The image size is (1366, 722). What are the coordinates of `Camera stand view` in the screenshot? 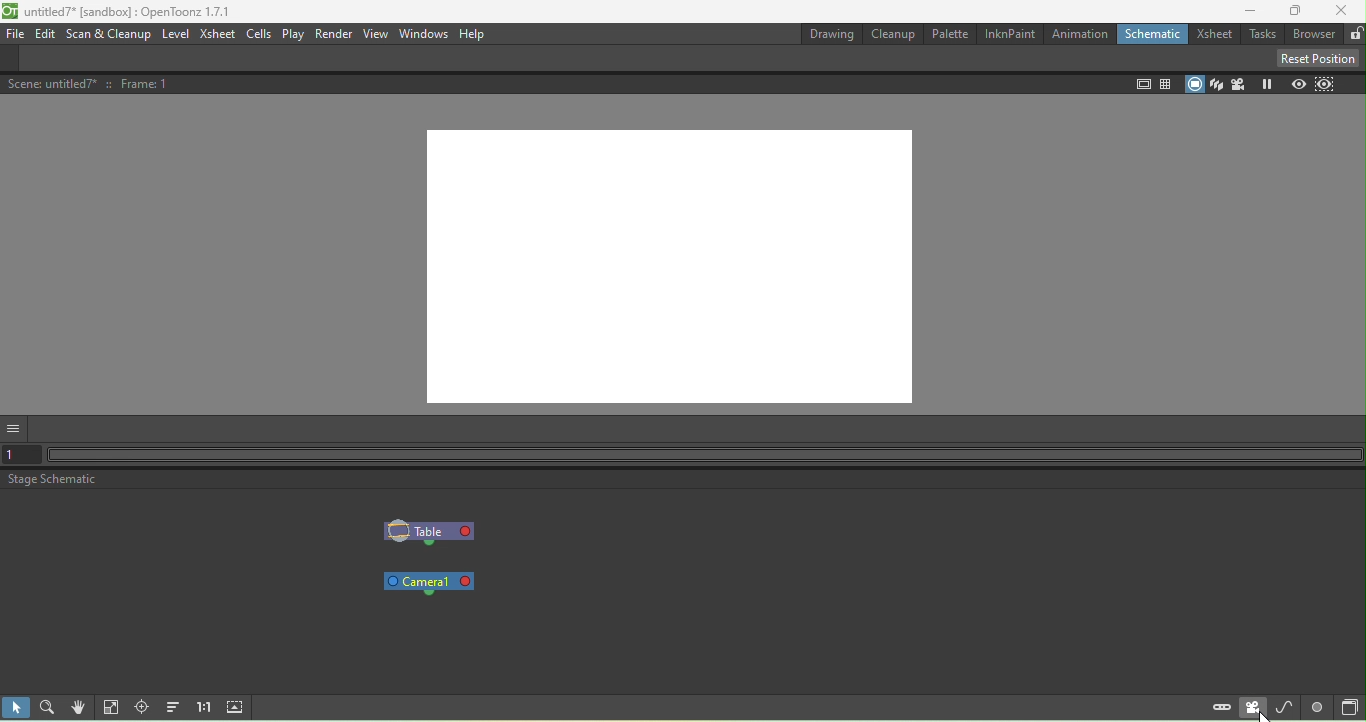 It's located at (1194, 84).